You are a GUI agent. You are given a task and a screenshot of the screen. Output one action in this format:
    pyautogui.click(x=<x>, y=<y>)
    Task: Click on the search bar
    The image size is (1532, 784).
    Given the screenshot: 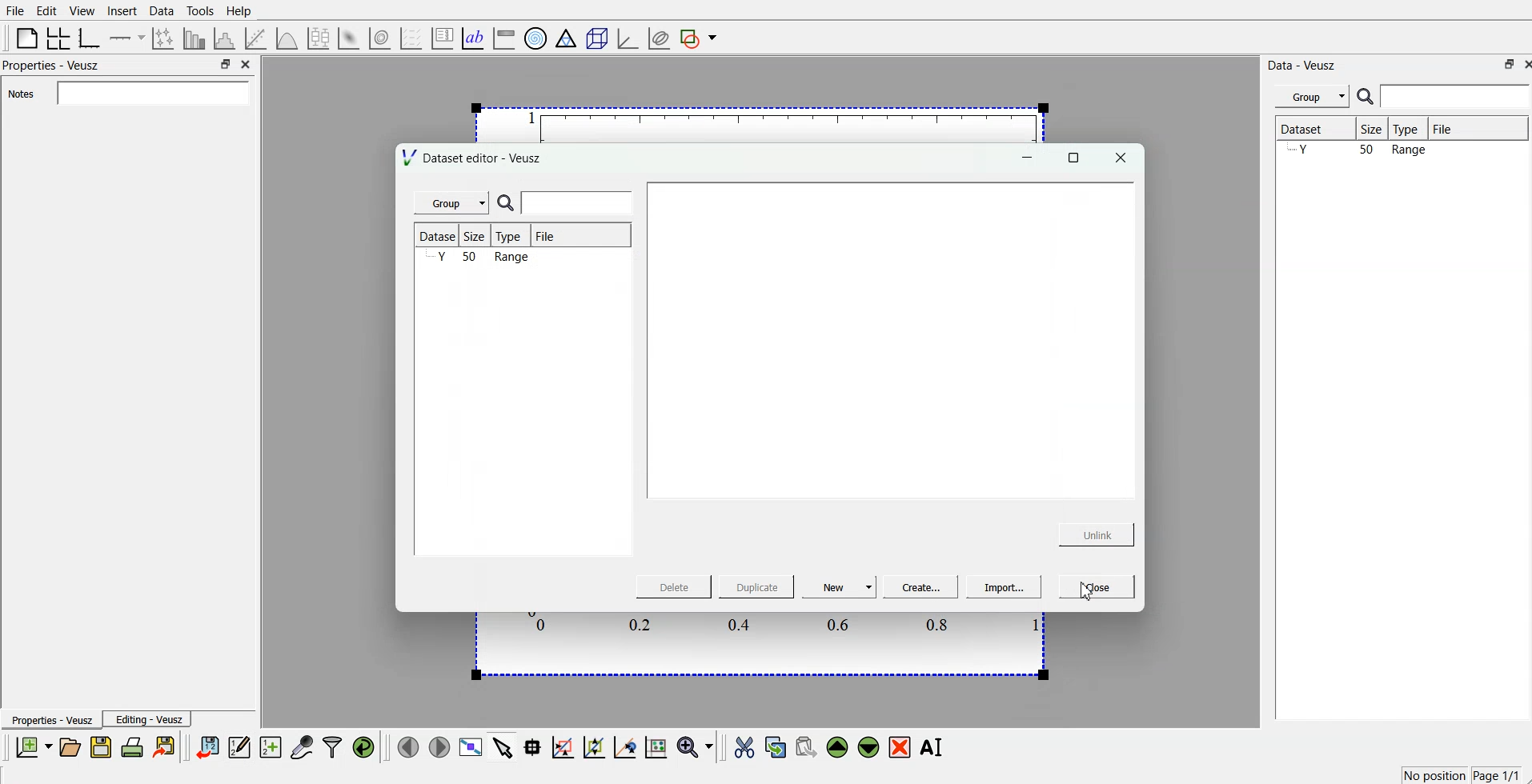 What is the action you would take?
    pyautogui.click(x=570, y=203)
    